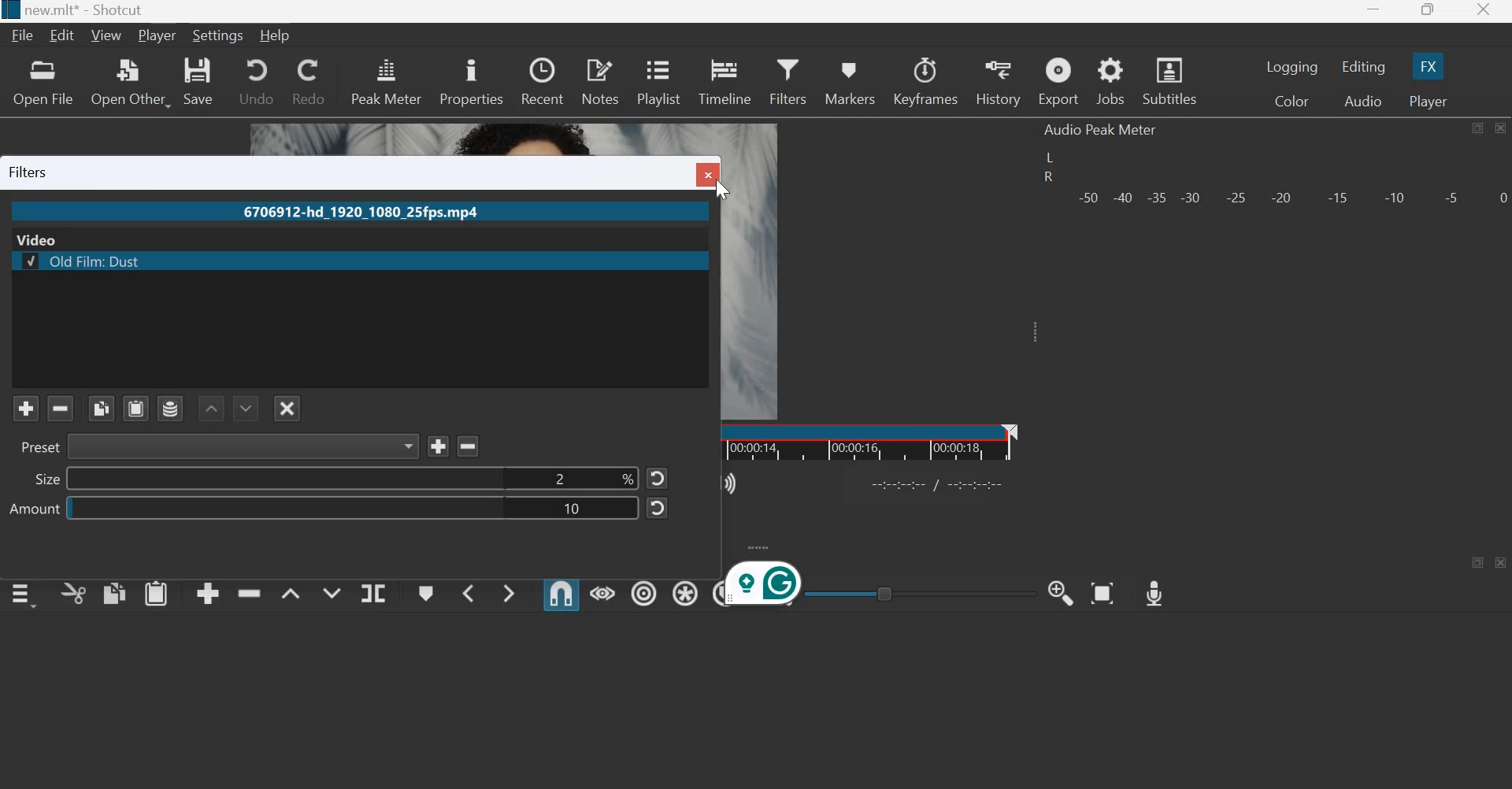 The height and width of the screenshot is (789, 1512). What do you see at coordinates (129, 82) in the screenshot?
I see `open other` at bounding box center [129, 82].